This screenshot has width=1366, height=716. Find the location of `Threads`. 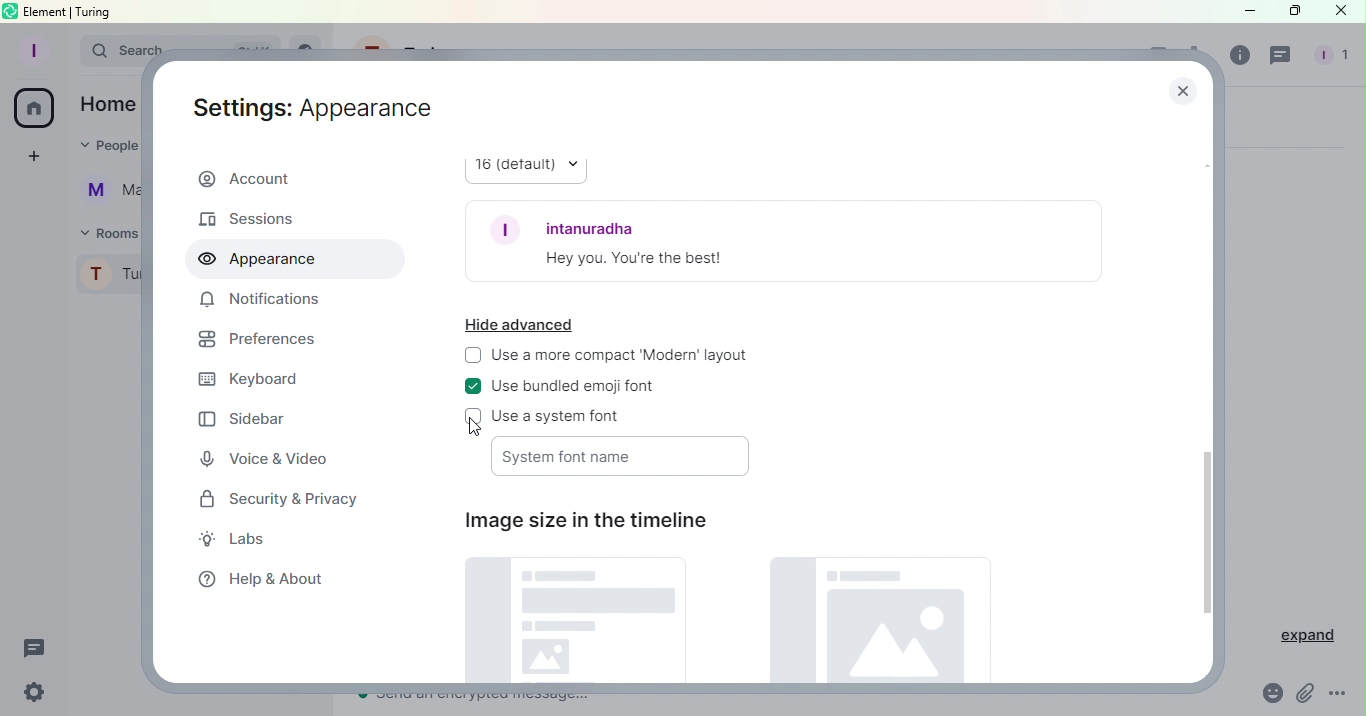

Threads is located at coordinates (1278, 58).